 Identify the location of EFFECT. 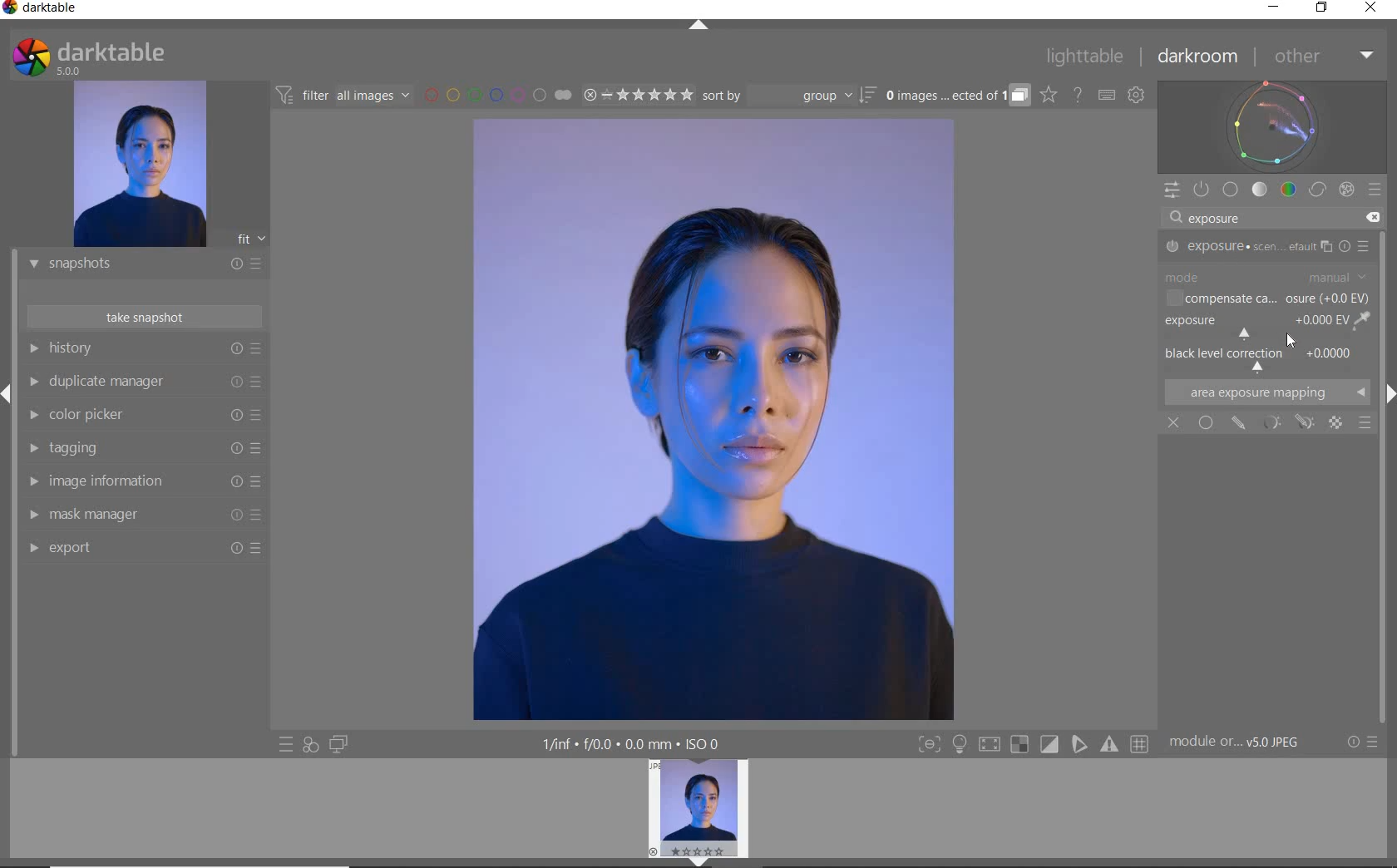
(1346, 189).